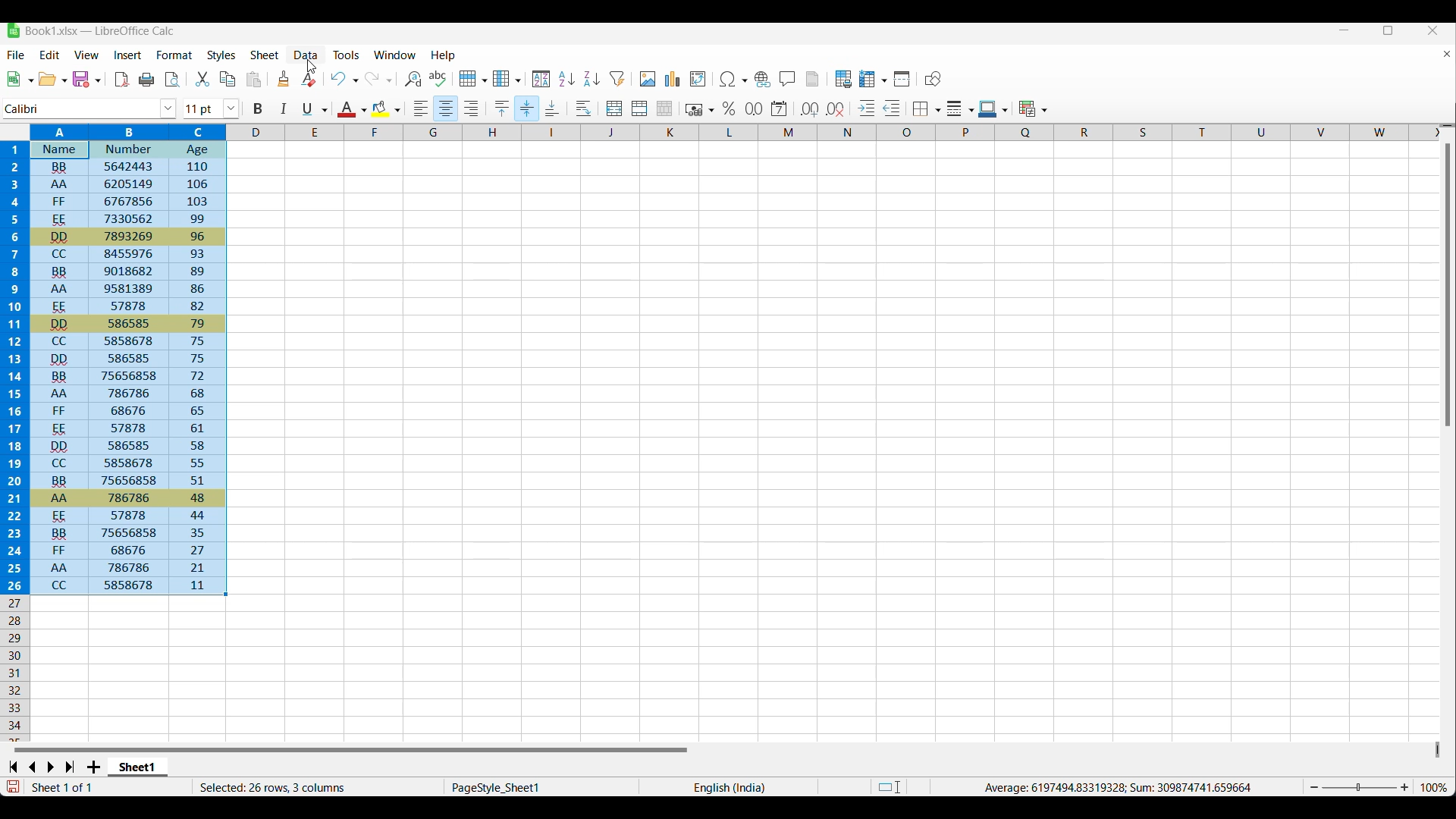 Image resolution: width=1456 pixels, height=819 pixels. I want to click on Align center, so click(527, 108).